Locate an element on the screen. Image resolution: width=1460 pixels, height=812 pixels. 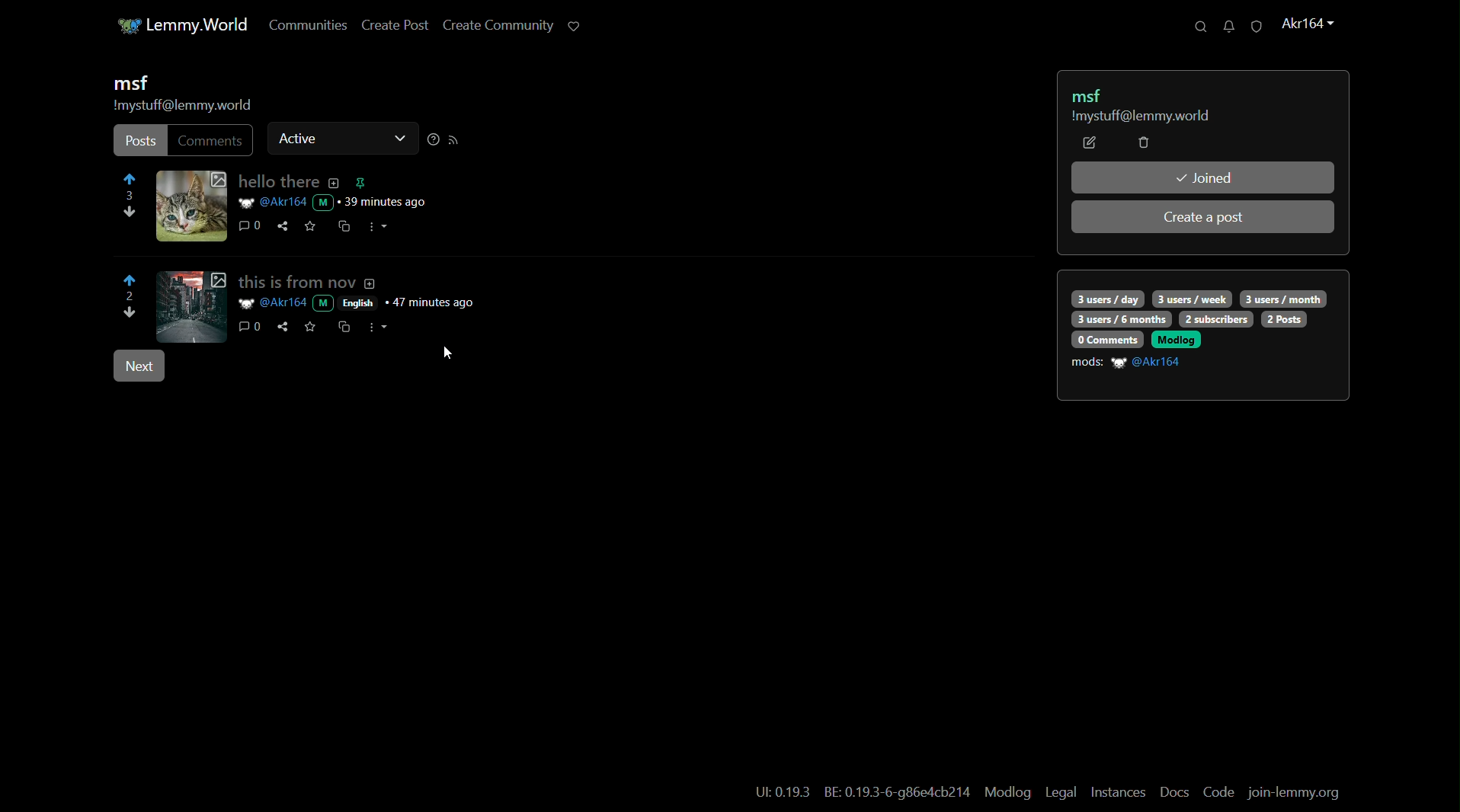
number of votes is located at coordinates (130, 197).